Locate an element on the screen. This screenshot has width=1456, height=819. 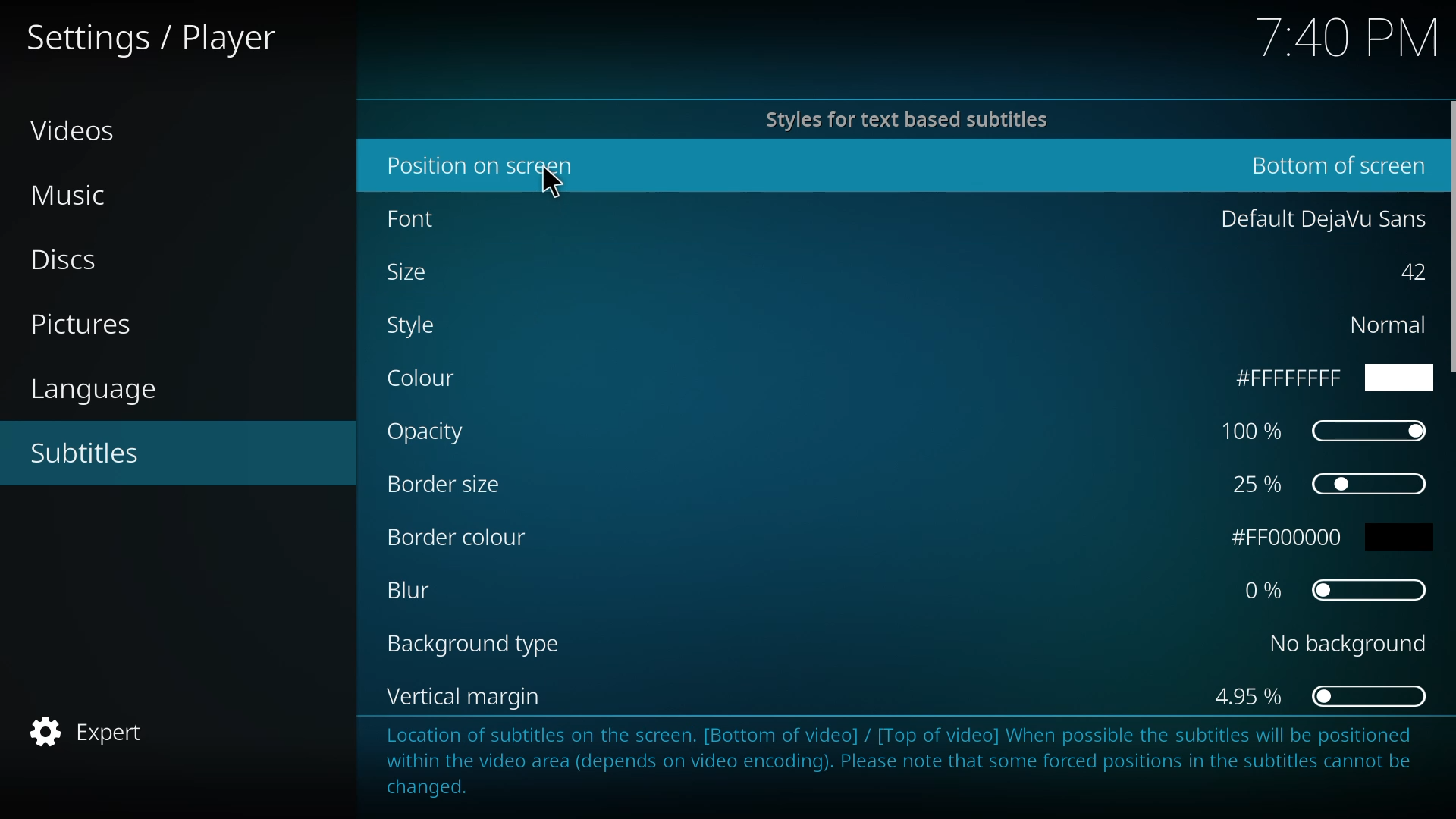
time is located at coordinates (1347, 39).